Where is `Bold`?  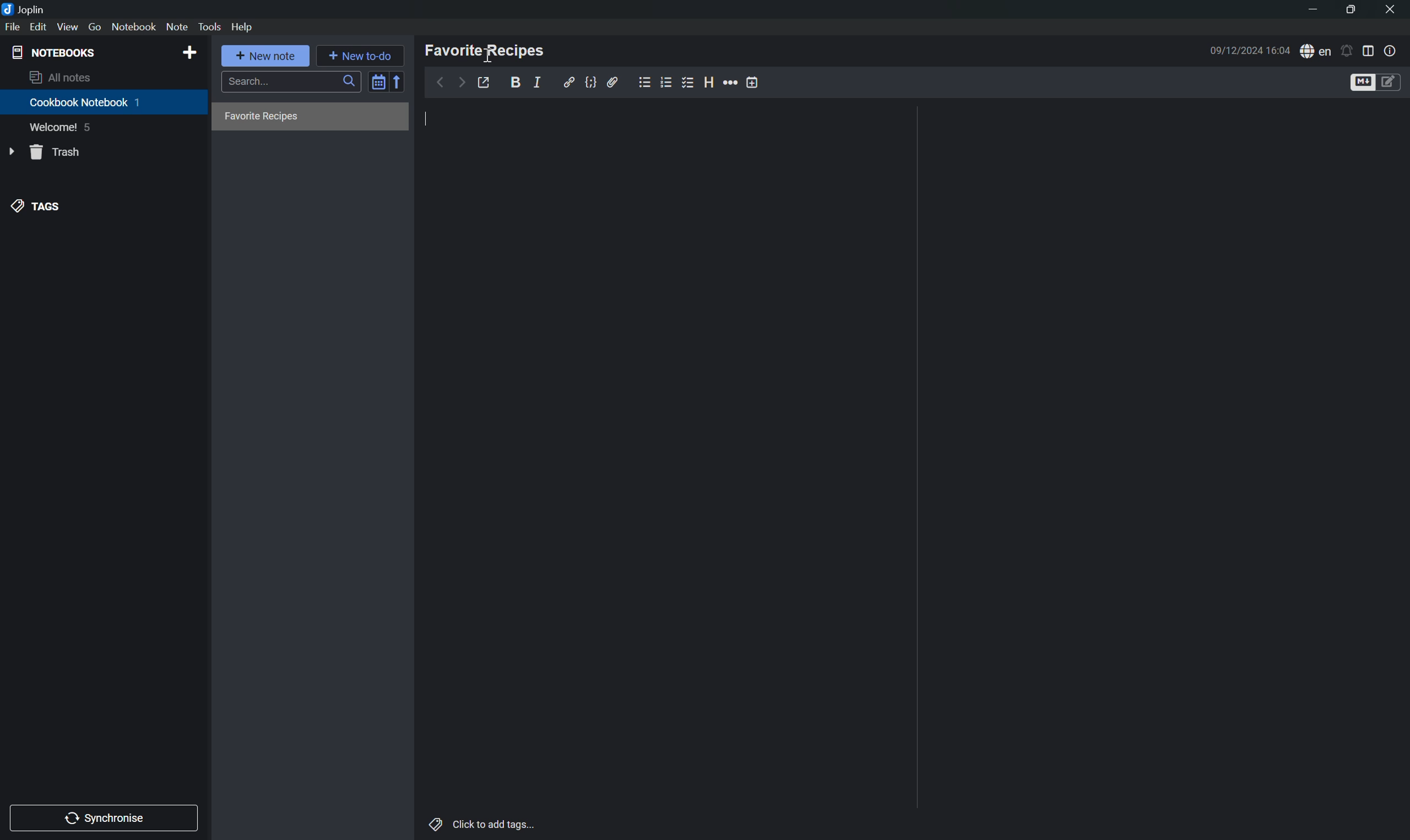 Bold is located at coordinates (518, 80).